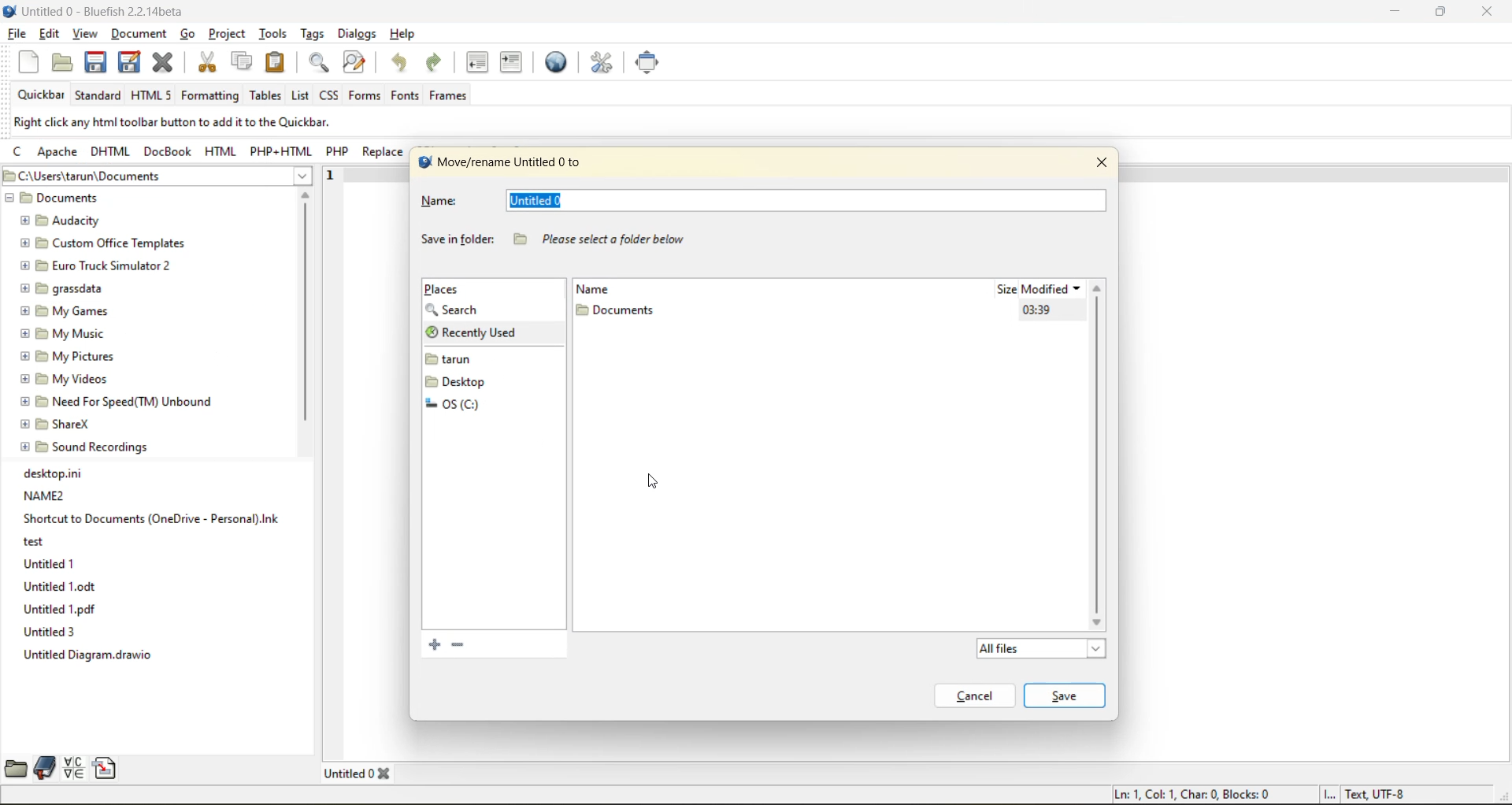 The height and width of the screenshot is (805, 1512). I want to click on bookmarks, so click(43, 769).